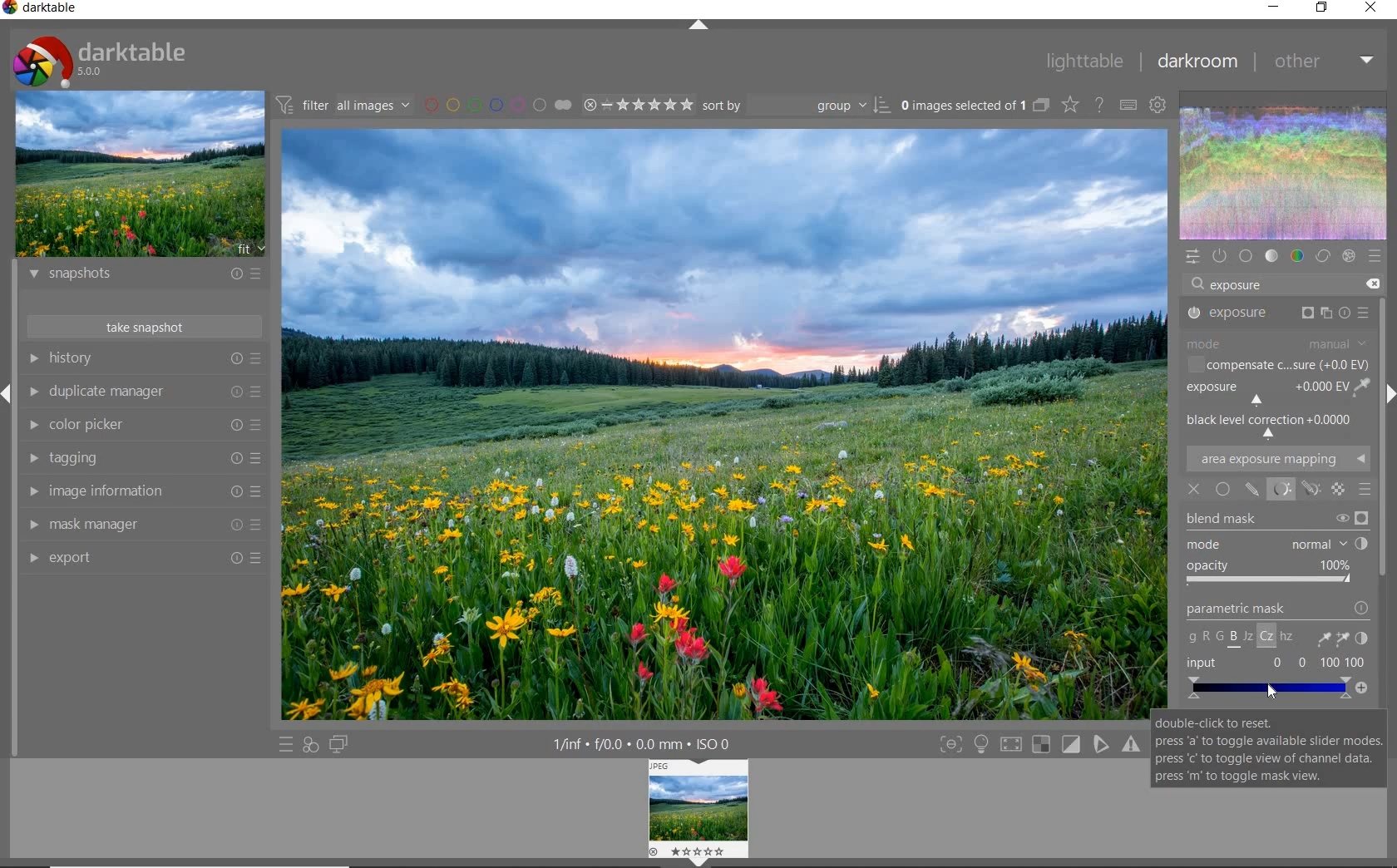 The width and height of the screenshot is (1397, 868). What do you see at coordinates (1191, 257) in the screenshot?
I see `quick access panel` at bounding box center [1191, 257].